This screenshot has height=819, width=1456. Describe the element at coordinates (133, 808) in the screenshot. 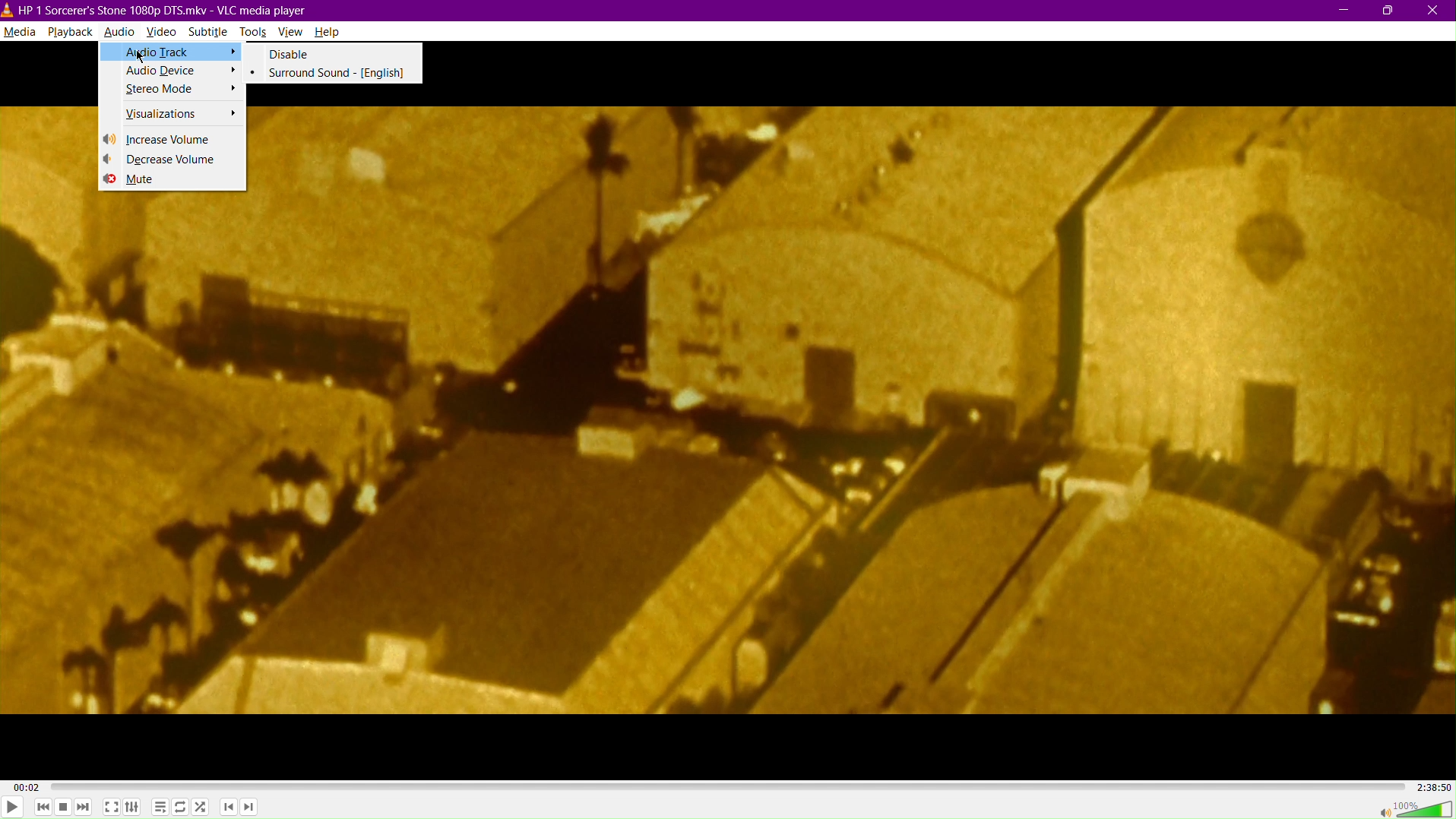

I see `Advanced Settings` at that location.